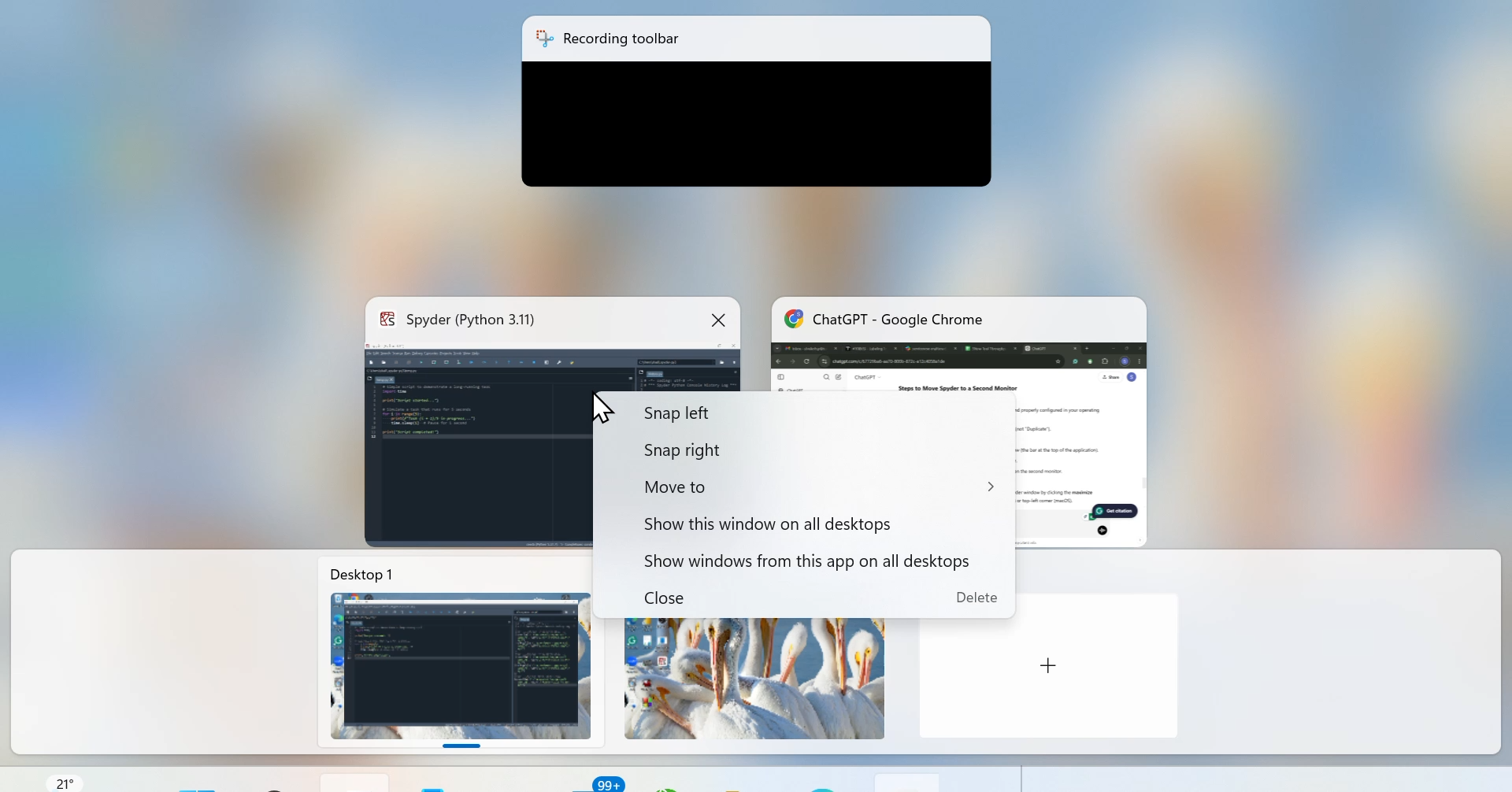 Image resolution: width=1512 pixels, height=792 pixels. What do you see at coordinates (763, 520) in the screenshot?
I see `Show this window on all desktop` at bounding box center [763, 520].